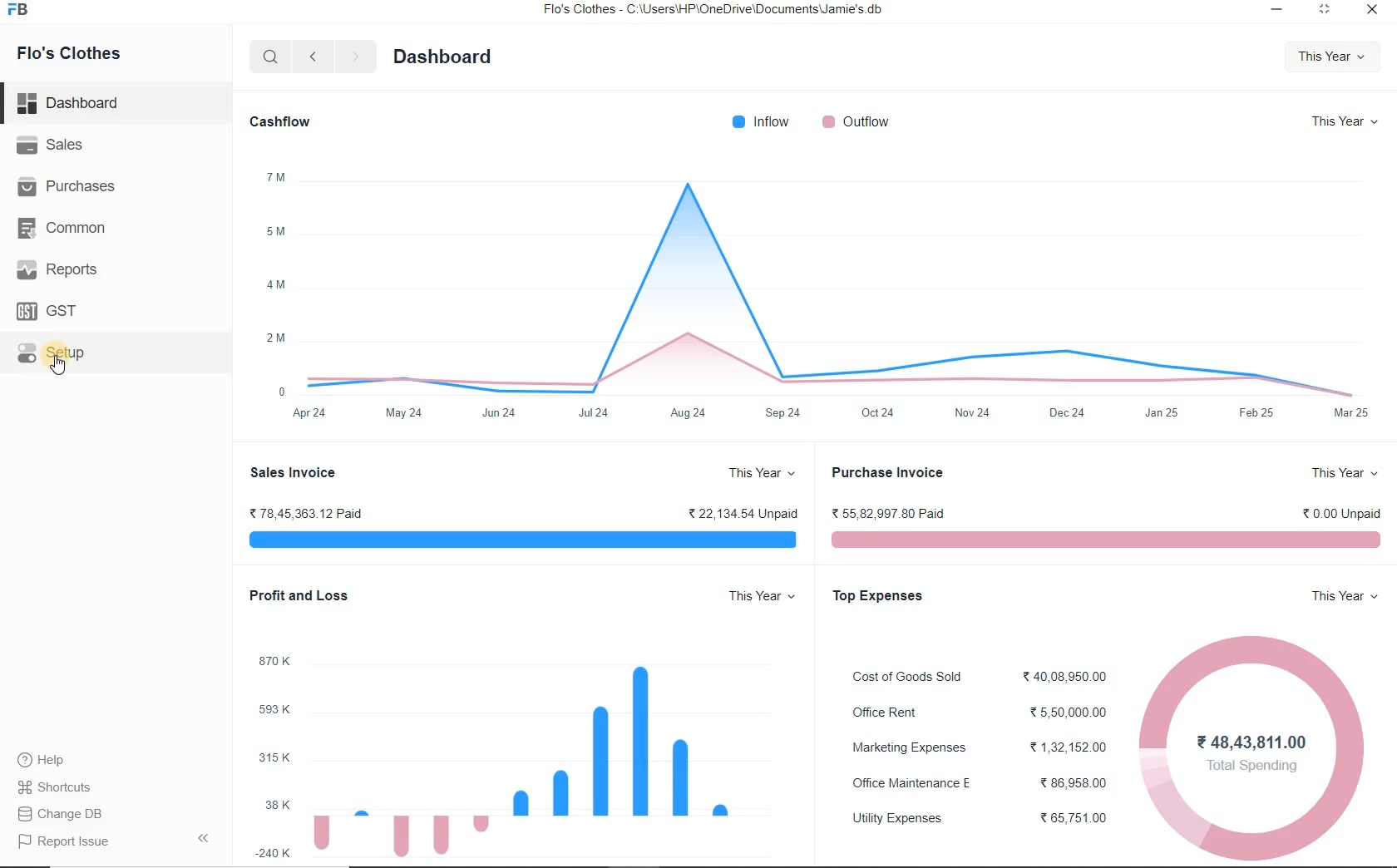 The image size is (1397, 868). Describe the element at coordinates (296, 595) in the screenshot. I see `Profit and Loss` at that location.